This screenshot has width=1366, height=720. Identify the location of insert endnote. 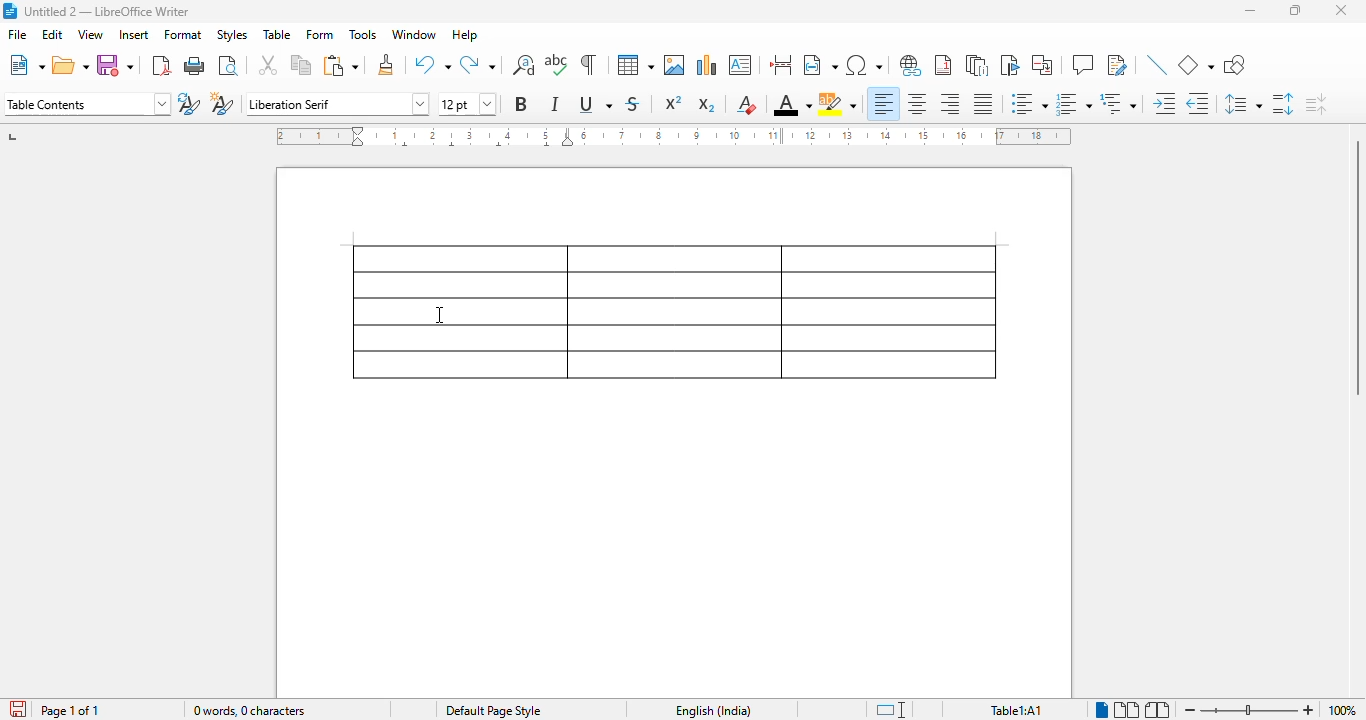
(978, 64).